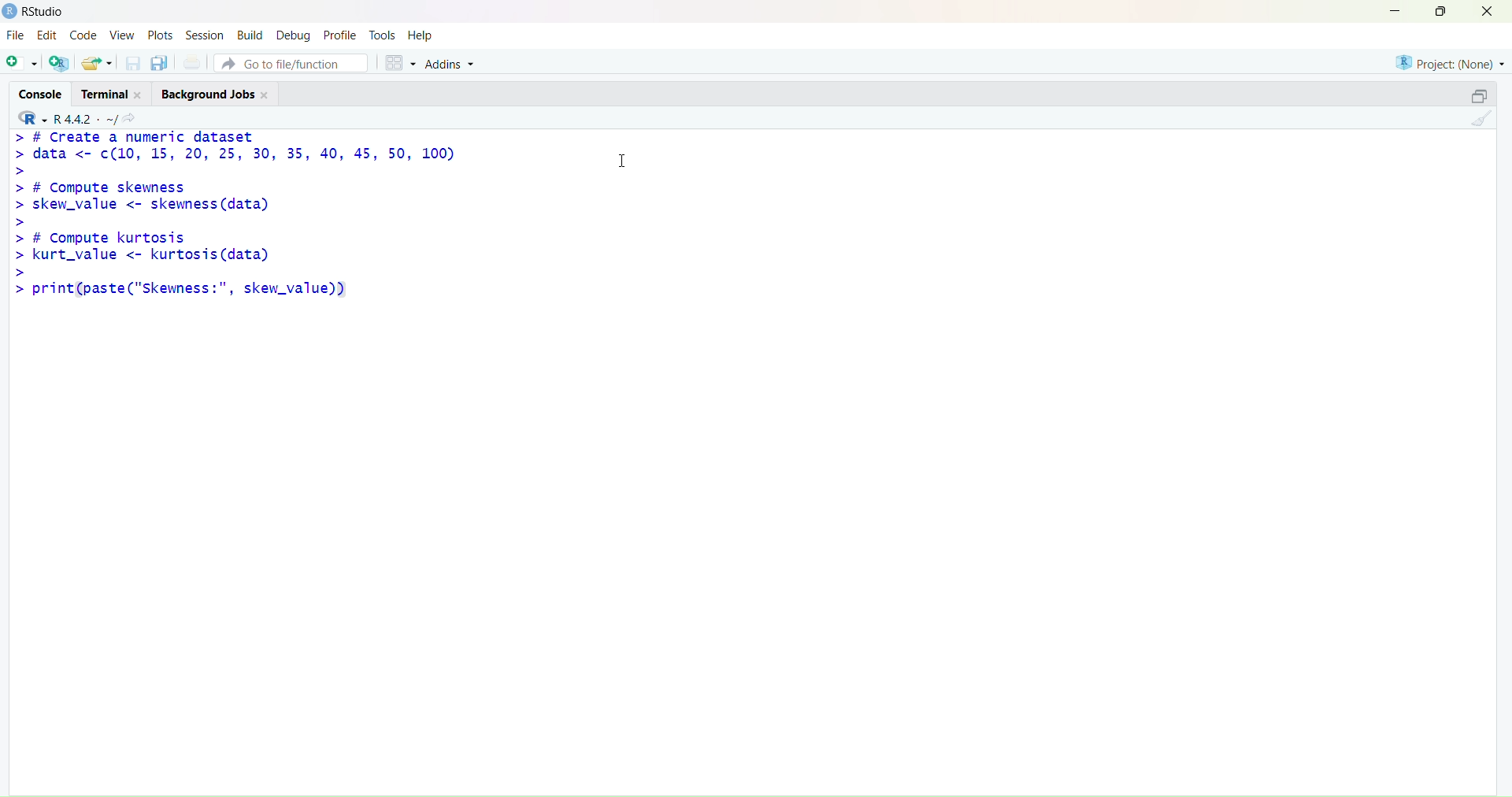  Describe the element at coordinates (160, 64) in the screenshot. I see `Save all open documents (Ctrl + Alt + S)` at that location.